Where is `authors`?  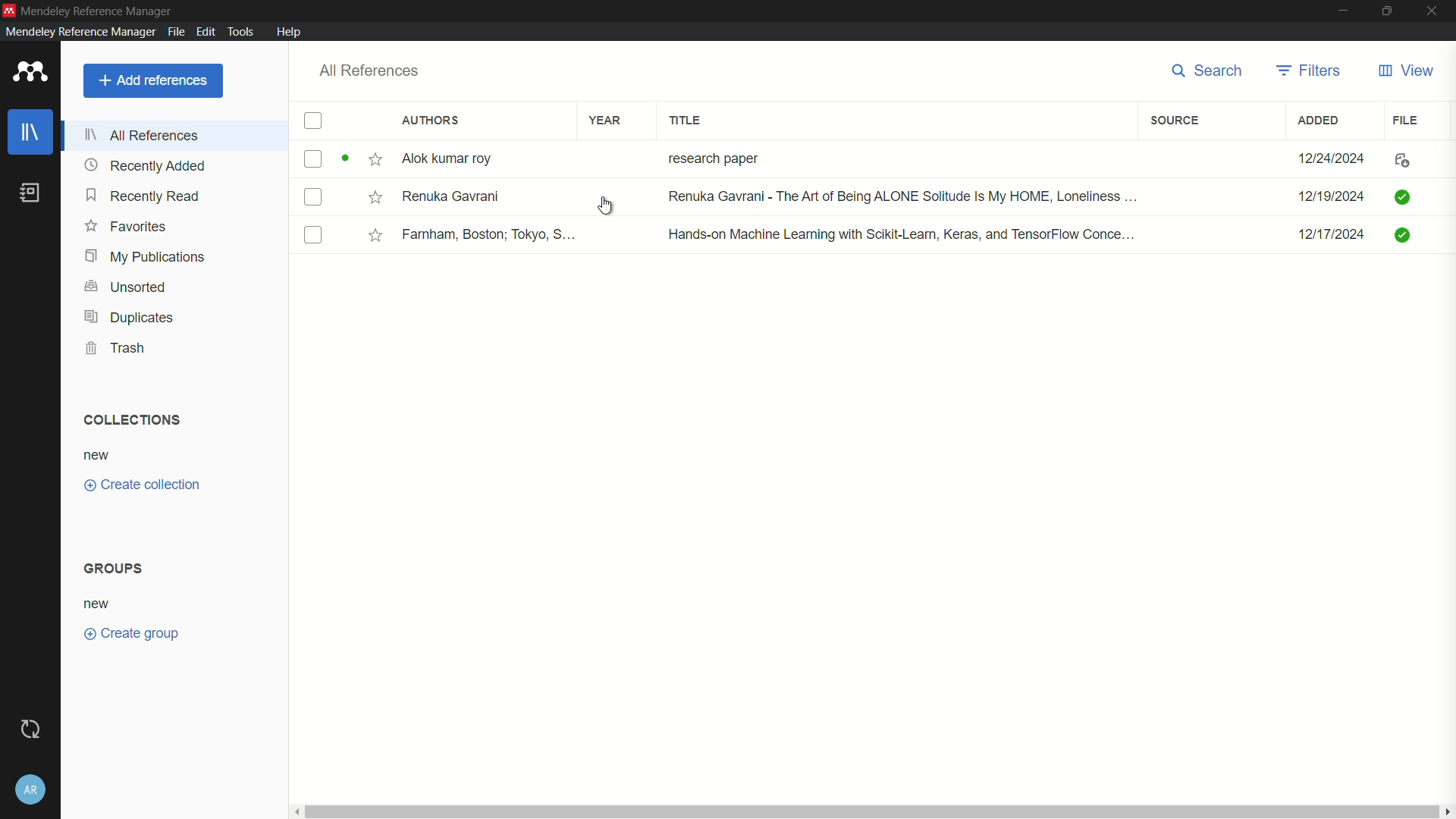
authors is located at coordinates (434, 121).